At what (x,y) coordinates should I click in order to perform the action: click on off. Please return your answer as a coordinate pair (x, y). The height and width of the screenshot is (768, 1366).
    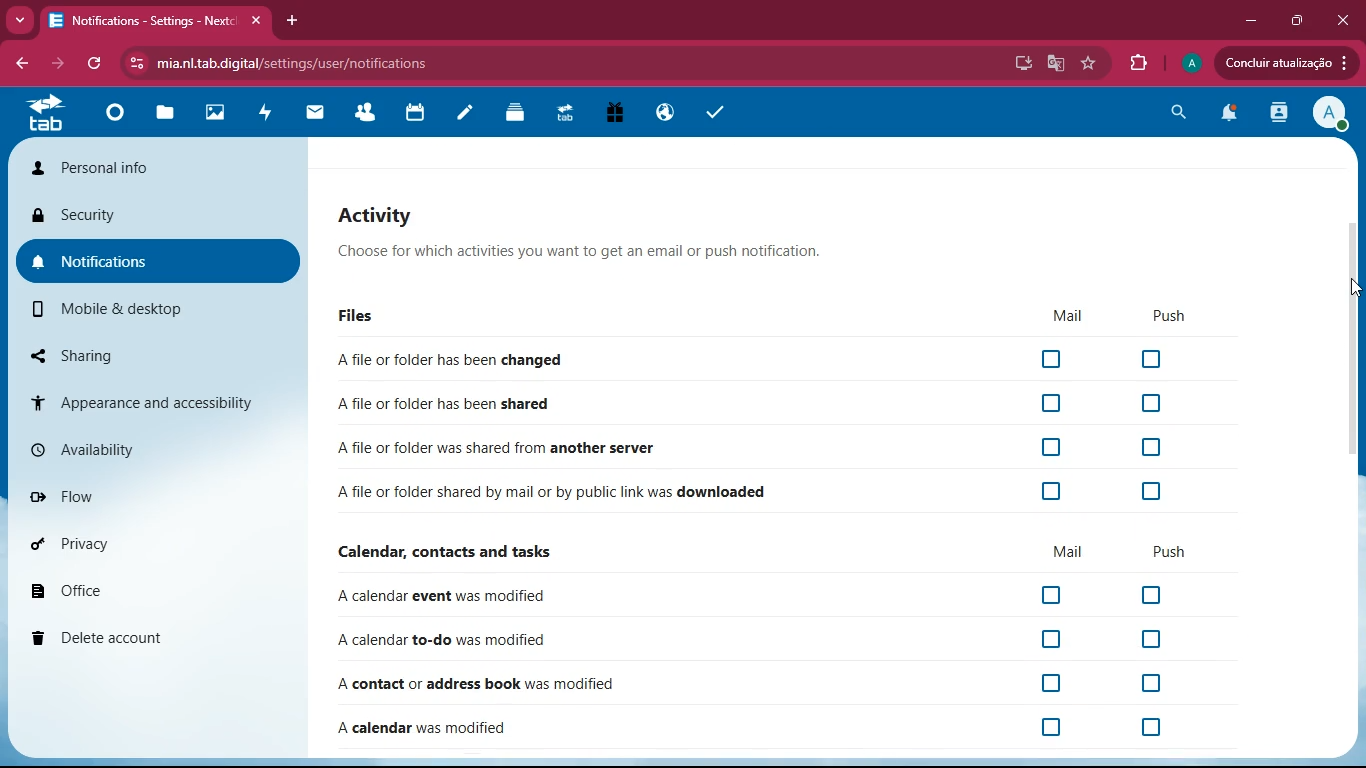
    Looking at the image, I should click on (1051, 596).